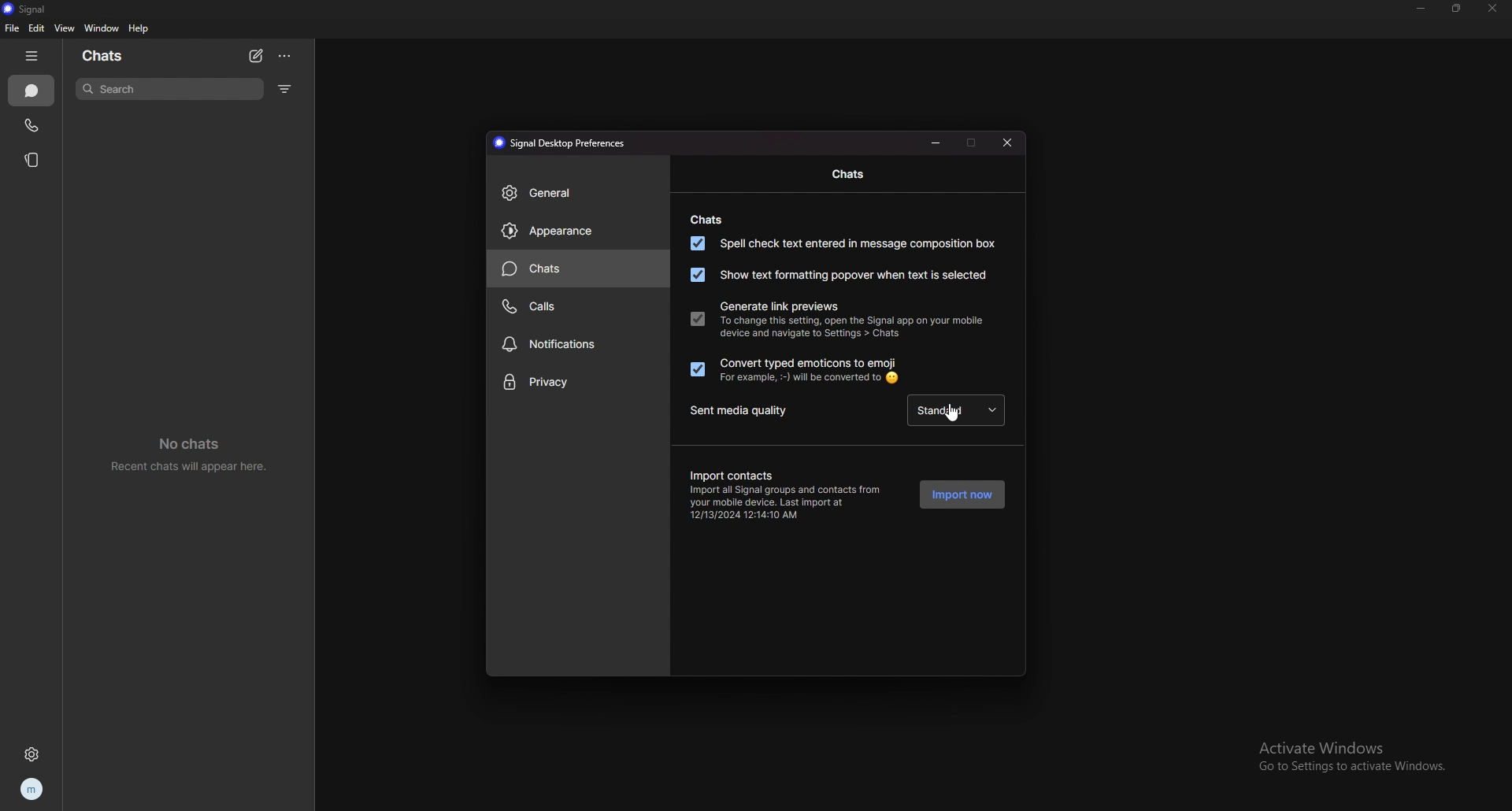 Image resolution: width=1512 pixels, height=811 pixels. Describe the element at coordinates (936, 142) in the screenshot. I see `minimize` at that location.